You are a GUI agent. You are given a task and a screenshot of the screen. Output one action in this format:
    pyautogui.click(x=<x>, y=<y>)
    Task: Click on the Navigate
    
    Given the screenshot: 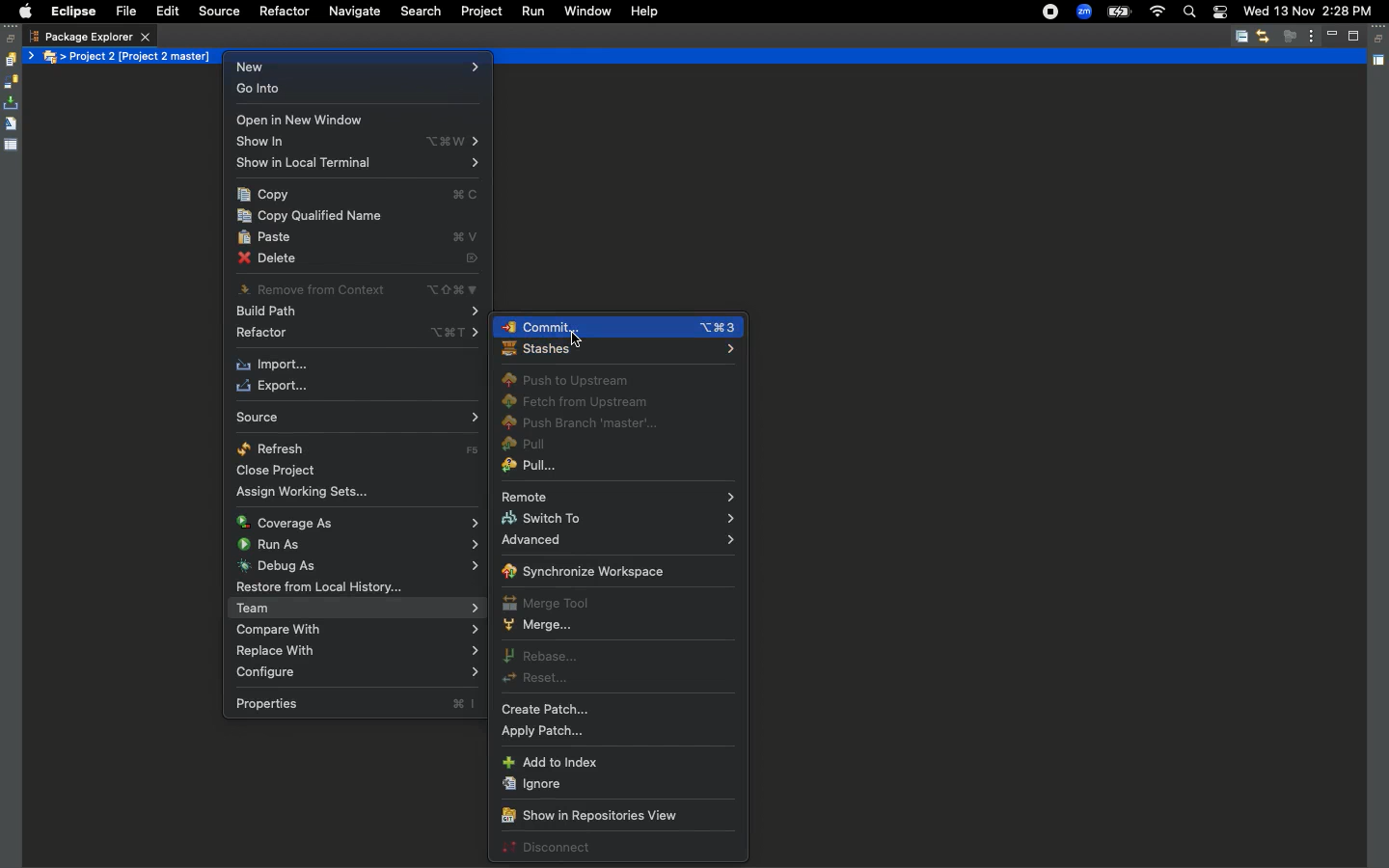 What is the action you would take?
    pyautogui.click(x=353, y=13)
    